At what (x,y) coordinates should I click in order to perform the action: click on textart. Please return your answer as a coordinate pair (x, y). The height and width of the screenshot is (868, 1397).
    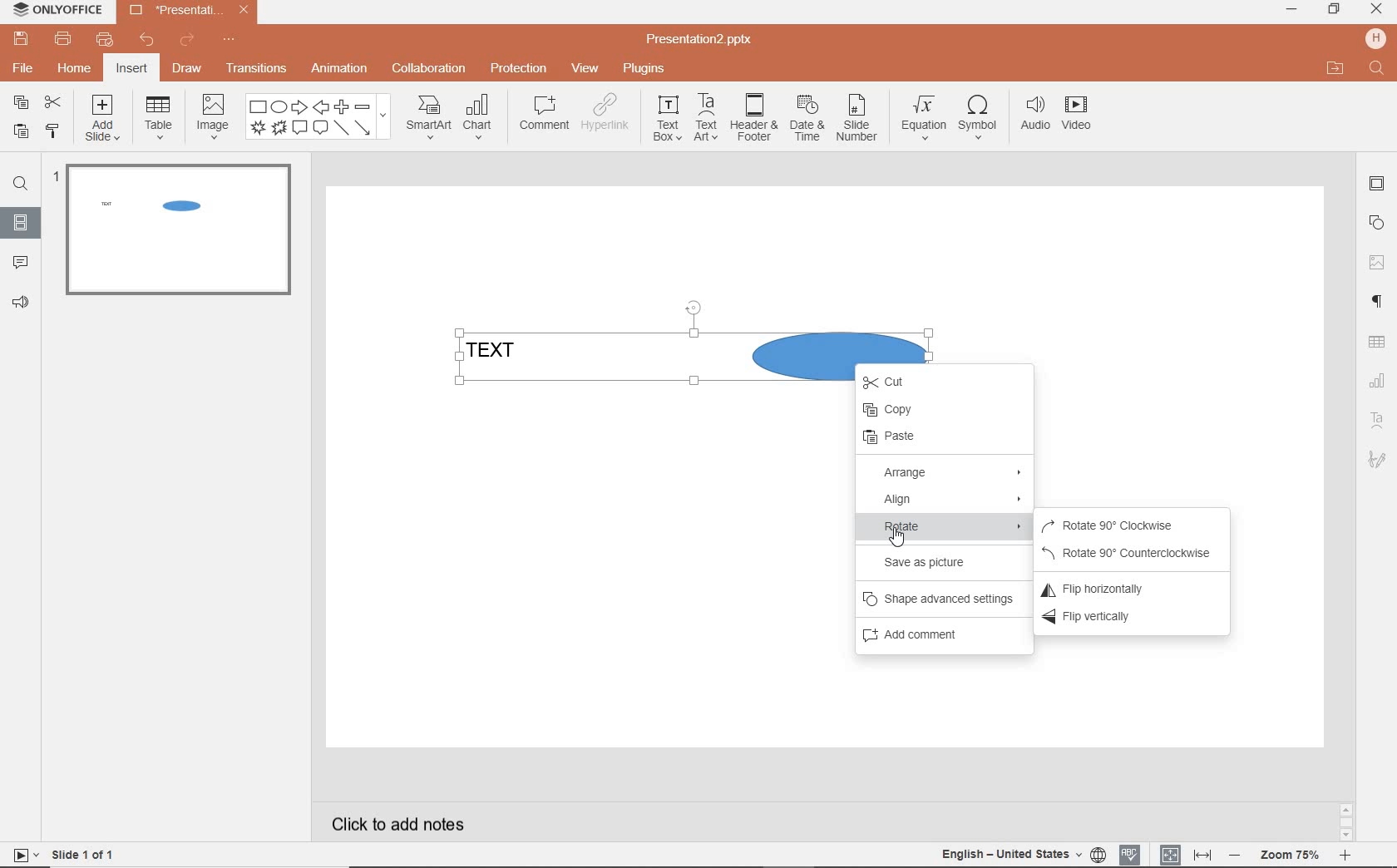
    Looking at the image, I should click on (704, 116).